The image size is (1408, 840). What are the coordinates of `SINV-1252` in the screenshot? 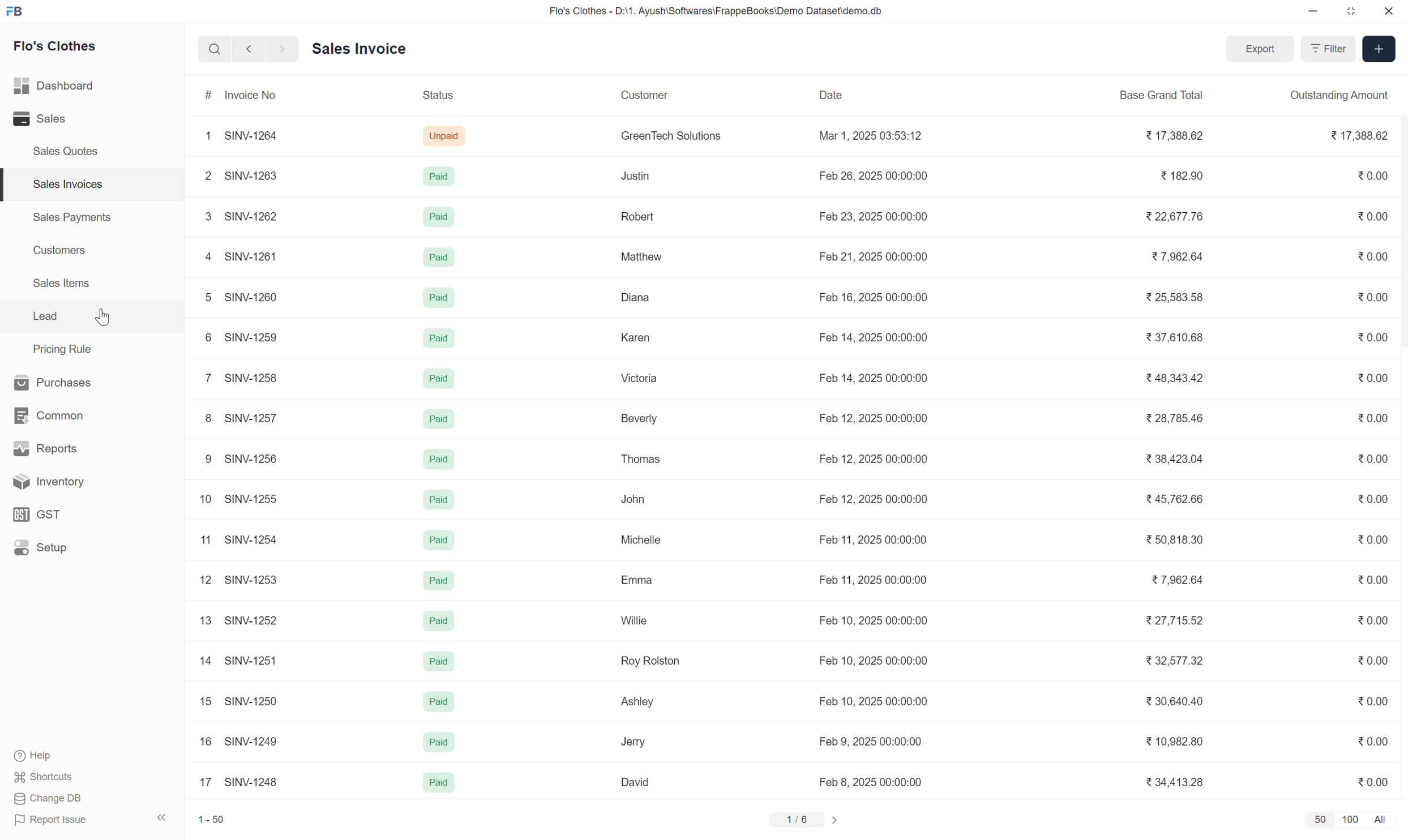 It's located at (253, 620).